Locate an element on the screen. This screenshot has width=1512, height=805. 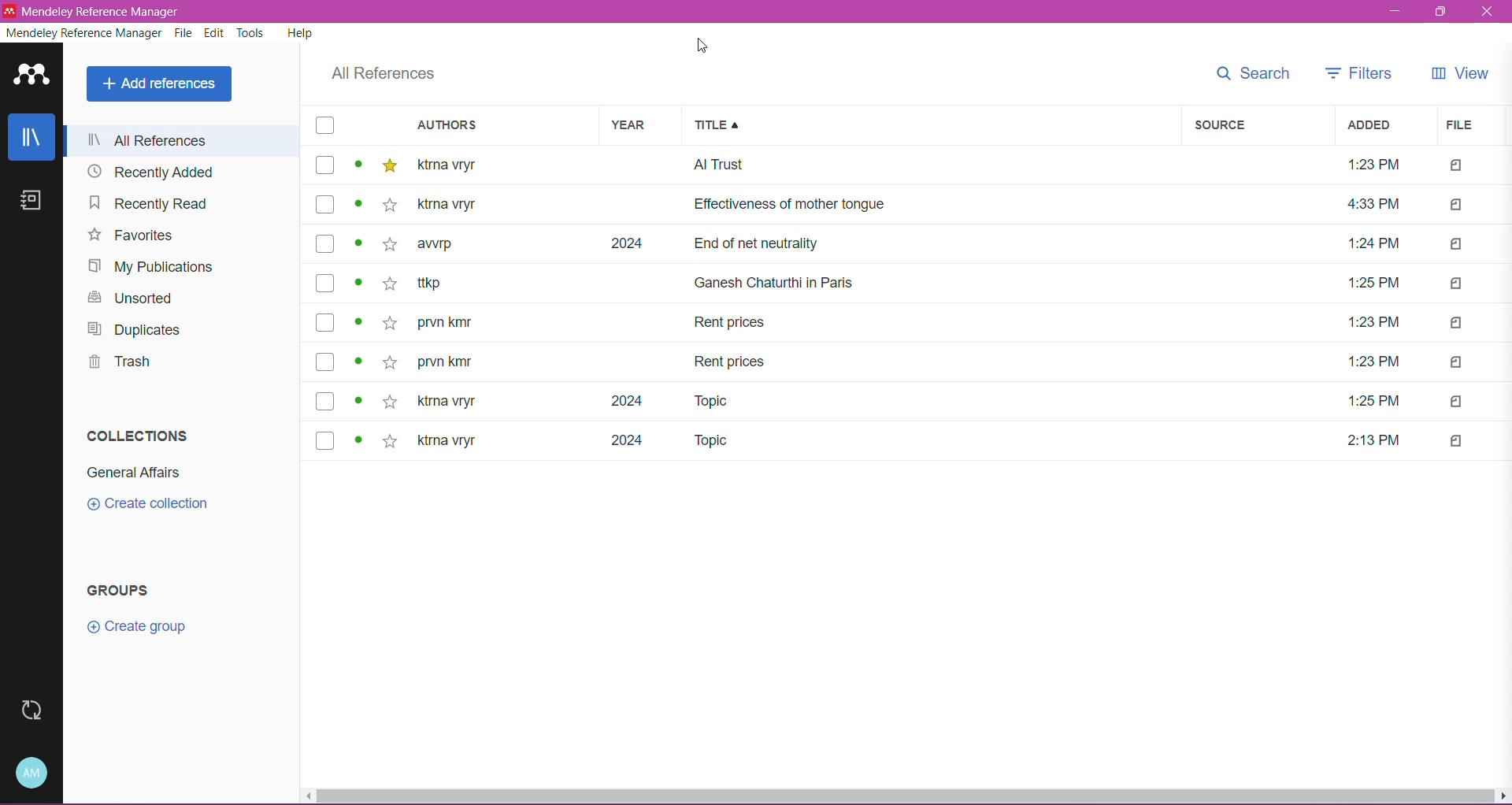
Application Logo is located at coordinates (36, 76).